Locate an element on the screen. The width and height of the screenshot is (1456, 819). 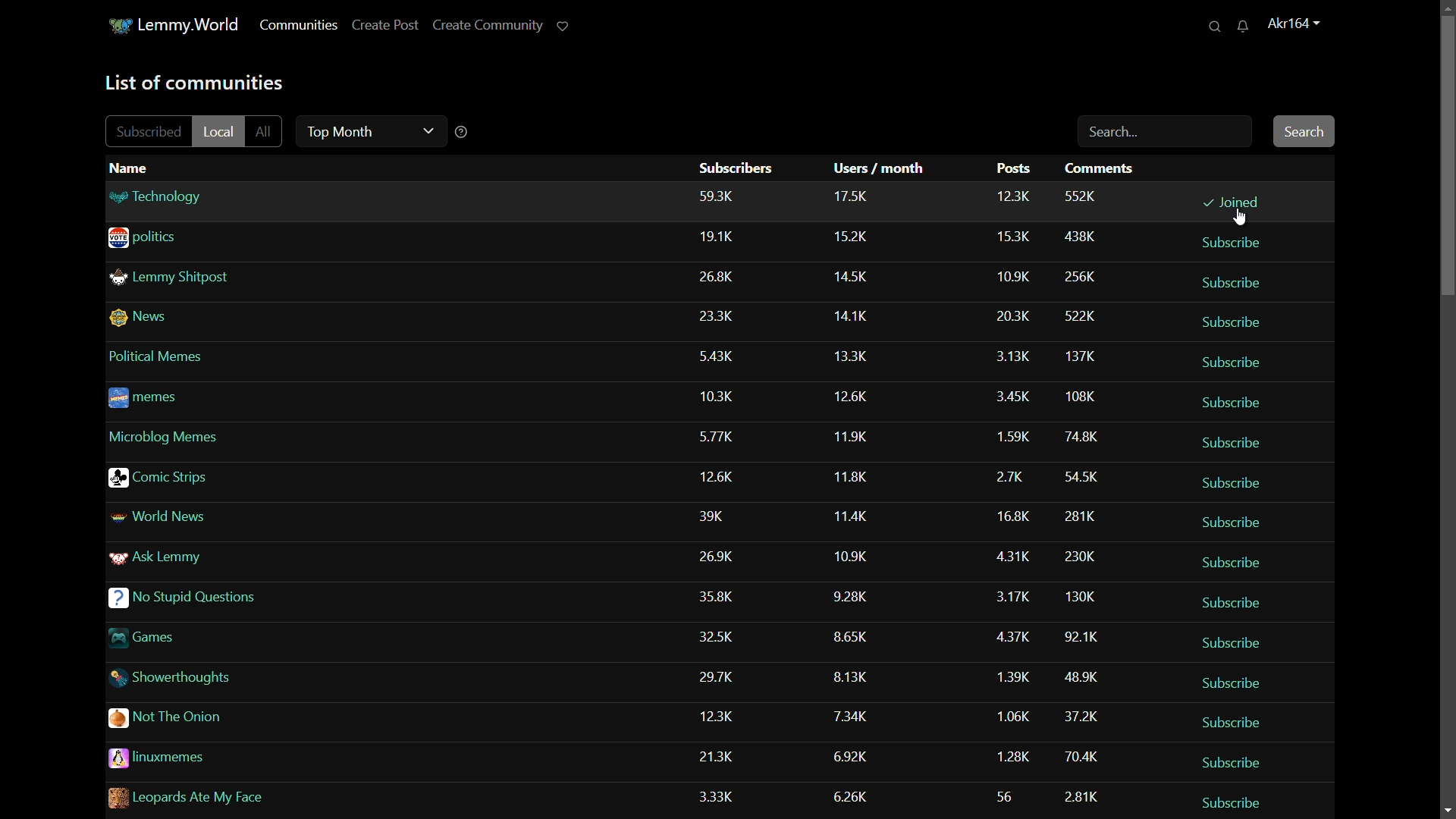
local is located at coordinates (220, 130).